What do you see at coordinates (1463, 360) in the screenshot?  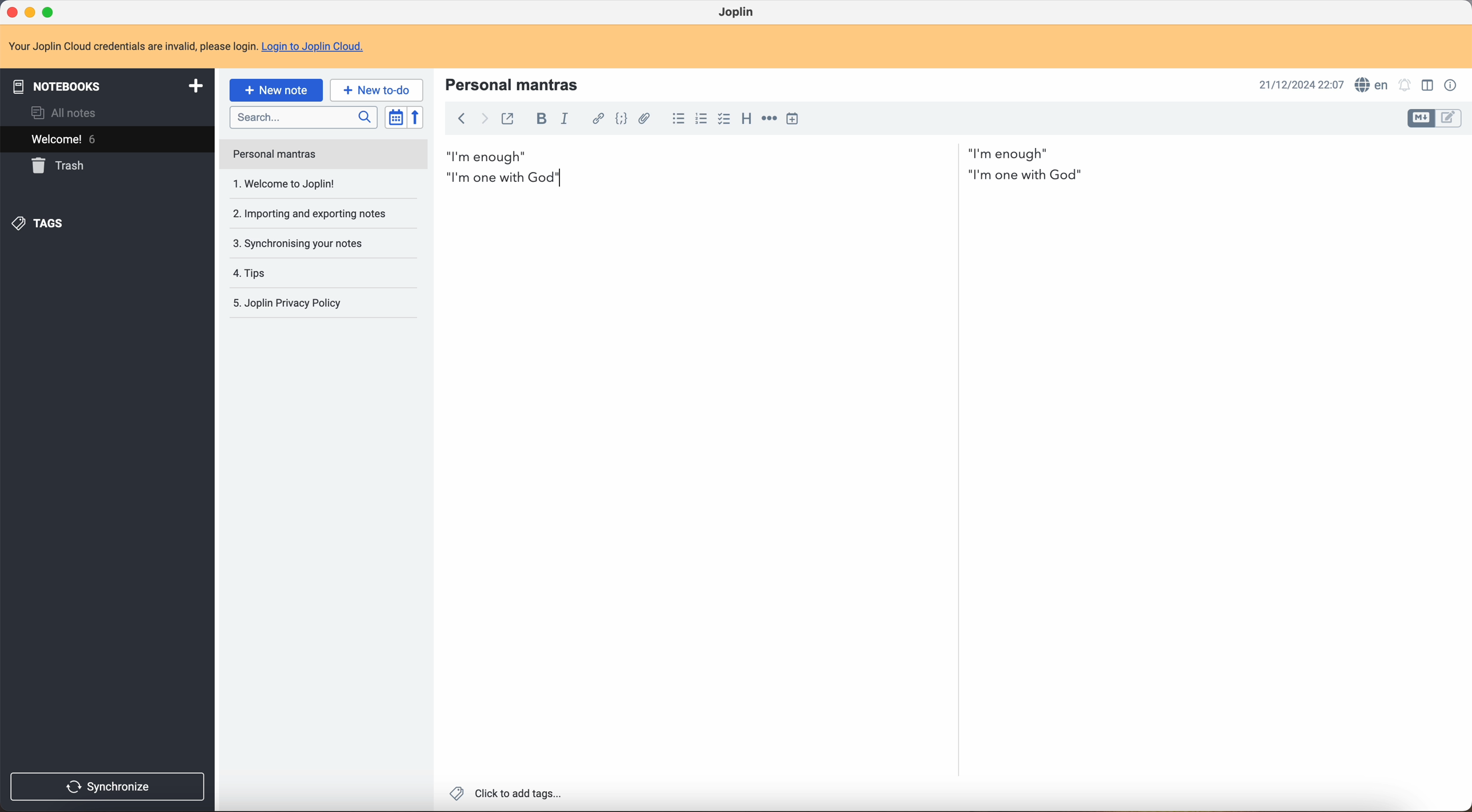 I see `scroll bar` at bounding box center [1463, 360].